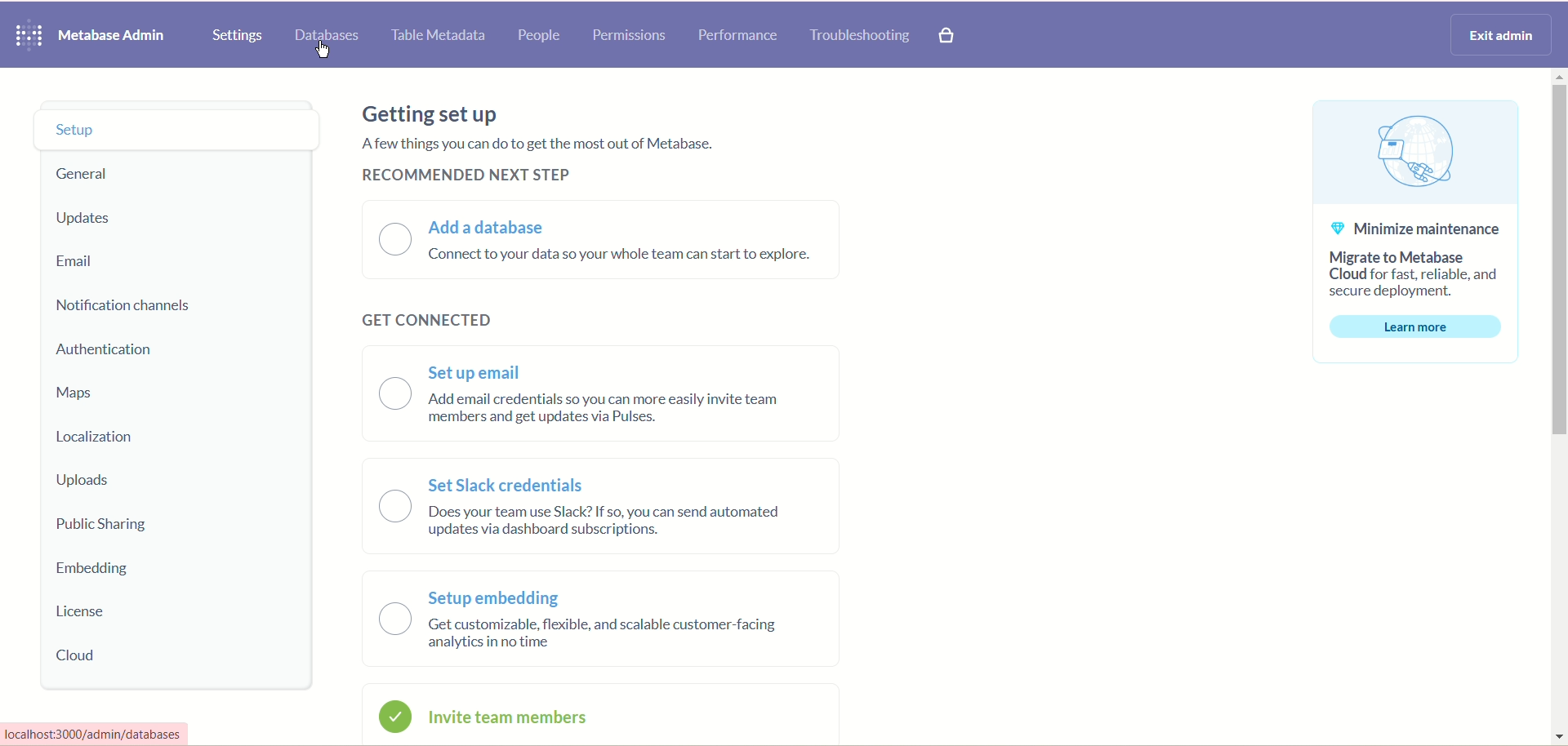  Describe the element at coordinates (84, 656) in the screenshot. I see `cloud` at that location.